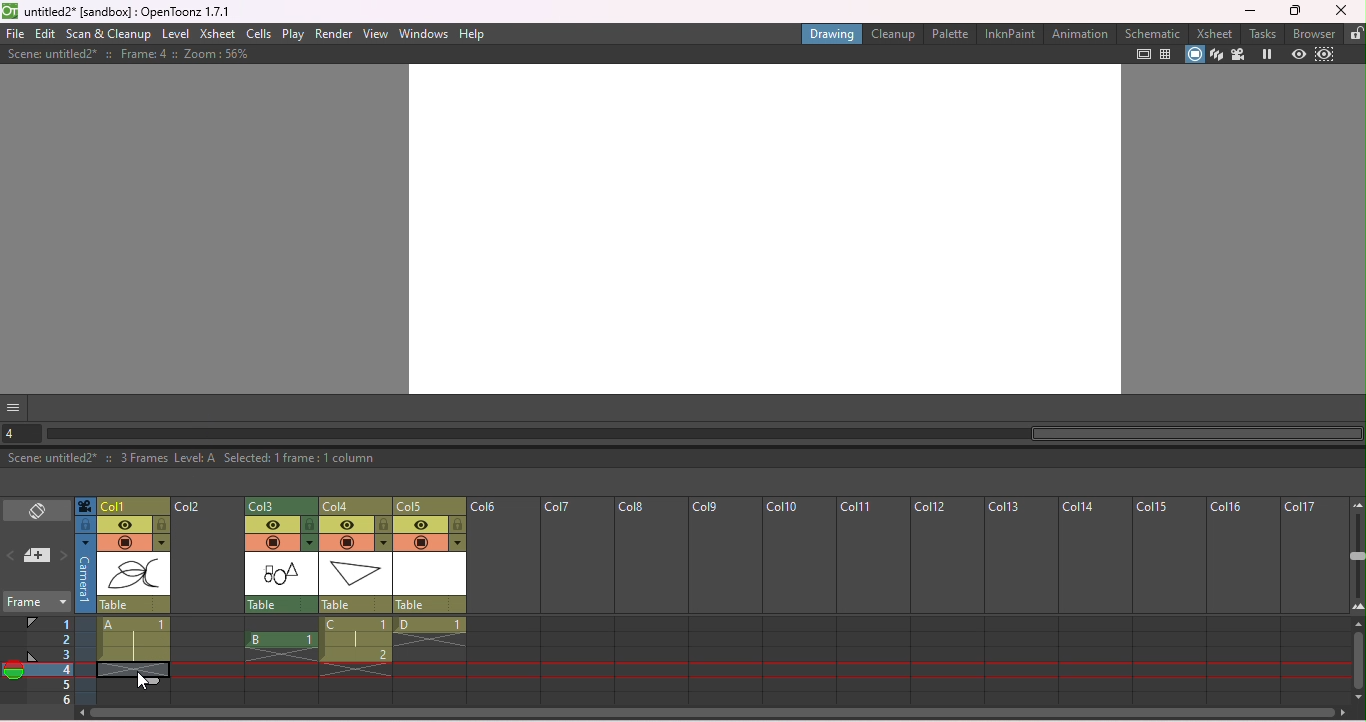 Image resolution: width=1366 pixels, height=722 pixels. I want to click on Lock toggle, so click(310, 524).